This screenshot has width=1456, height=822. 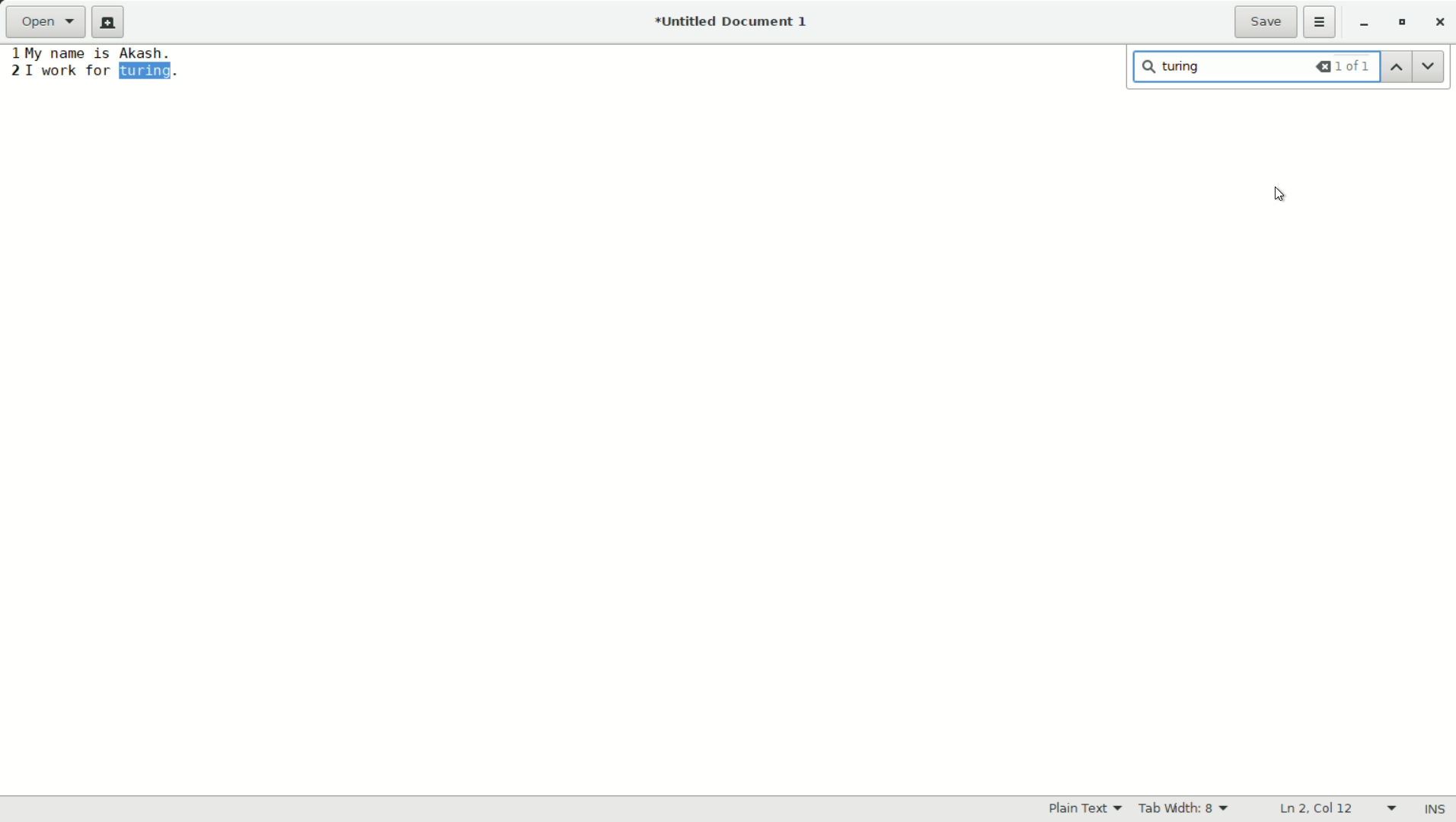 I want to click on next , so click(x=1429, y=65).